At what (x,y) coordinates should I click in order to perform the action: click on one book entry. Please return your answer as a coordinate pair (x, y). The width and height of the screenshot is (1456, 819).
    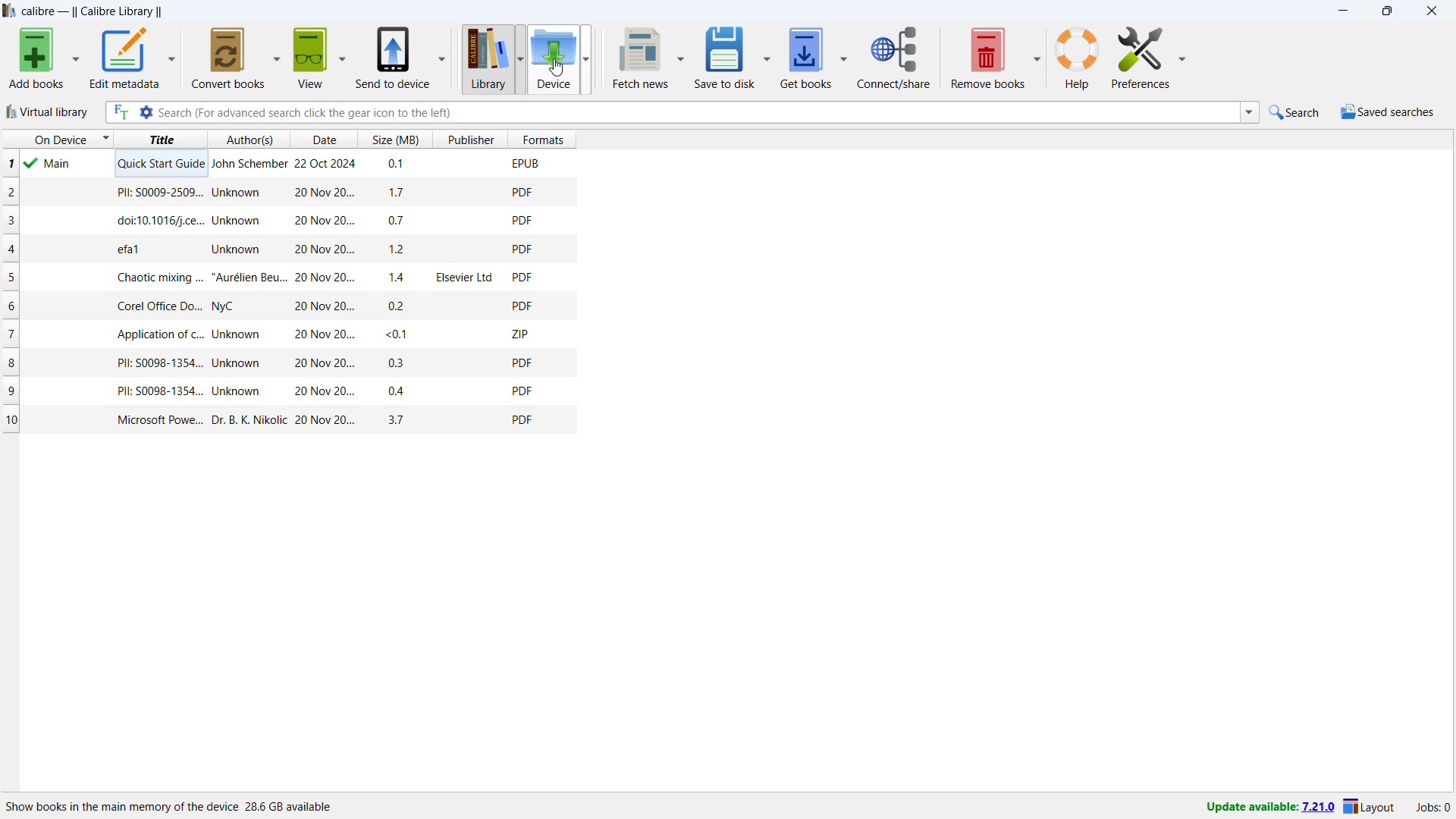
    Looking at the image, I should click on (289, 277).